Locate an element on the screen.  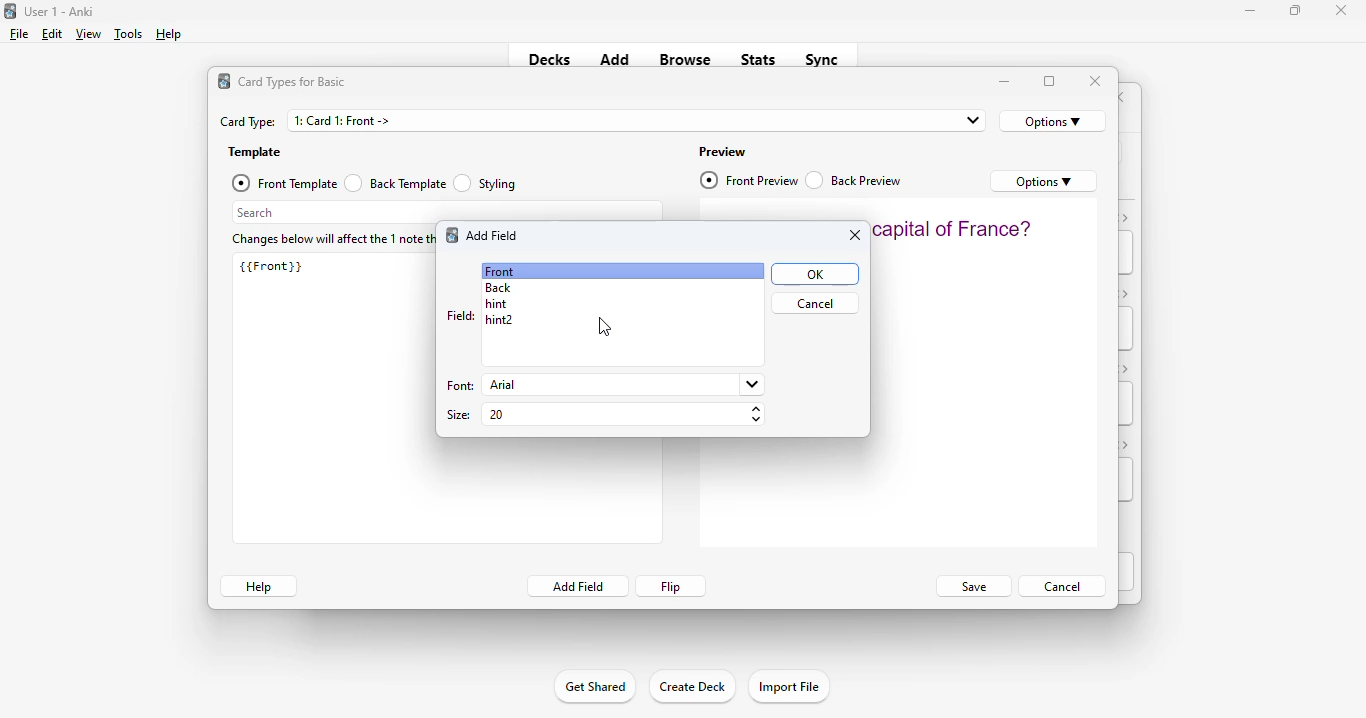
search is located at coordinates (447, 212).